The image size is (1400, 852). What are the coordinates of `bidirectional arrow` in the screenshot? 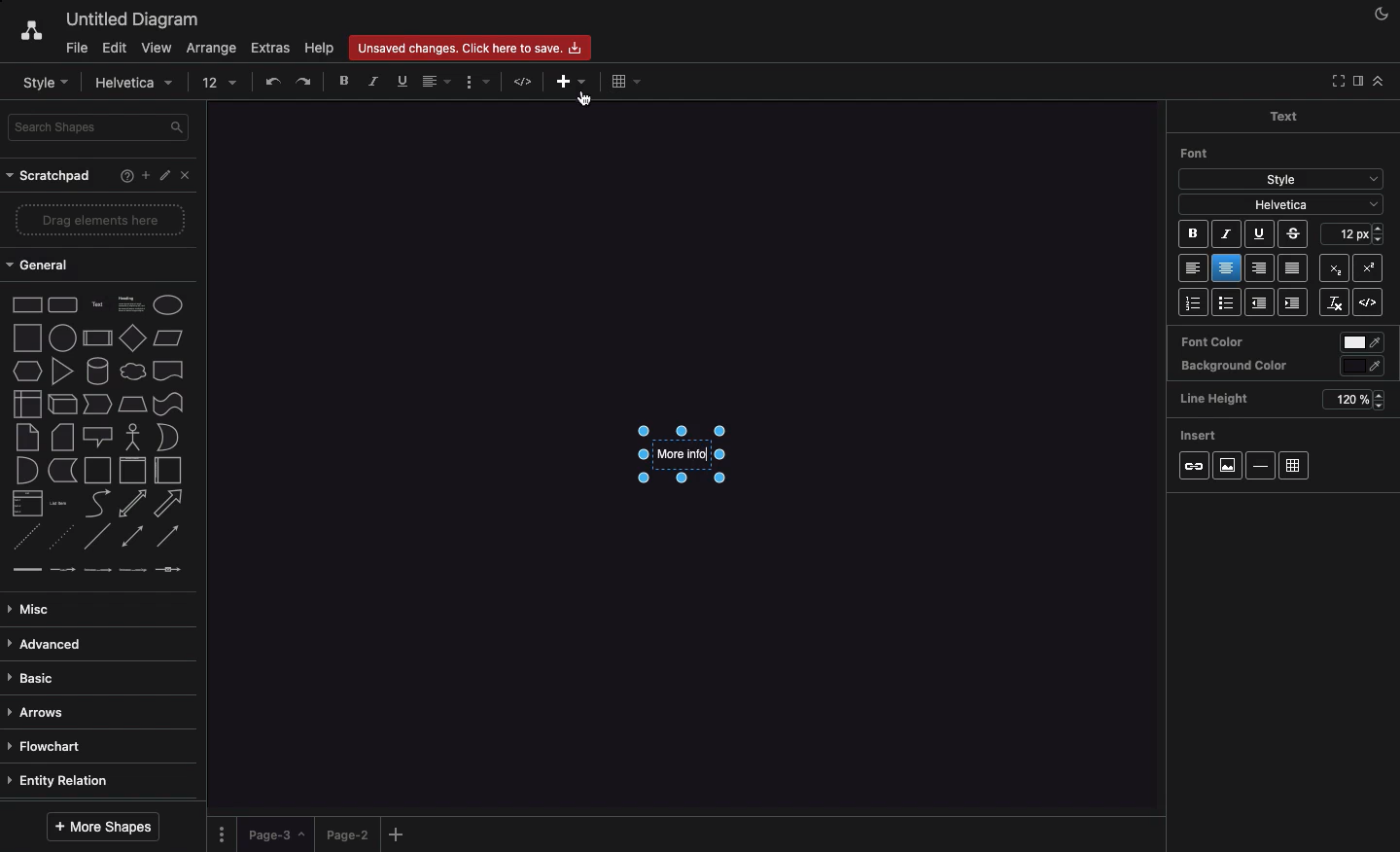 It's located at (131, 504).